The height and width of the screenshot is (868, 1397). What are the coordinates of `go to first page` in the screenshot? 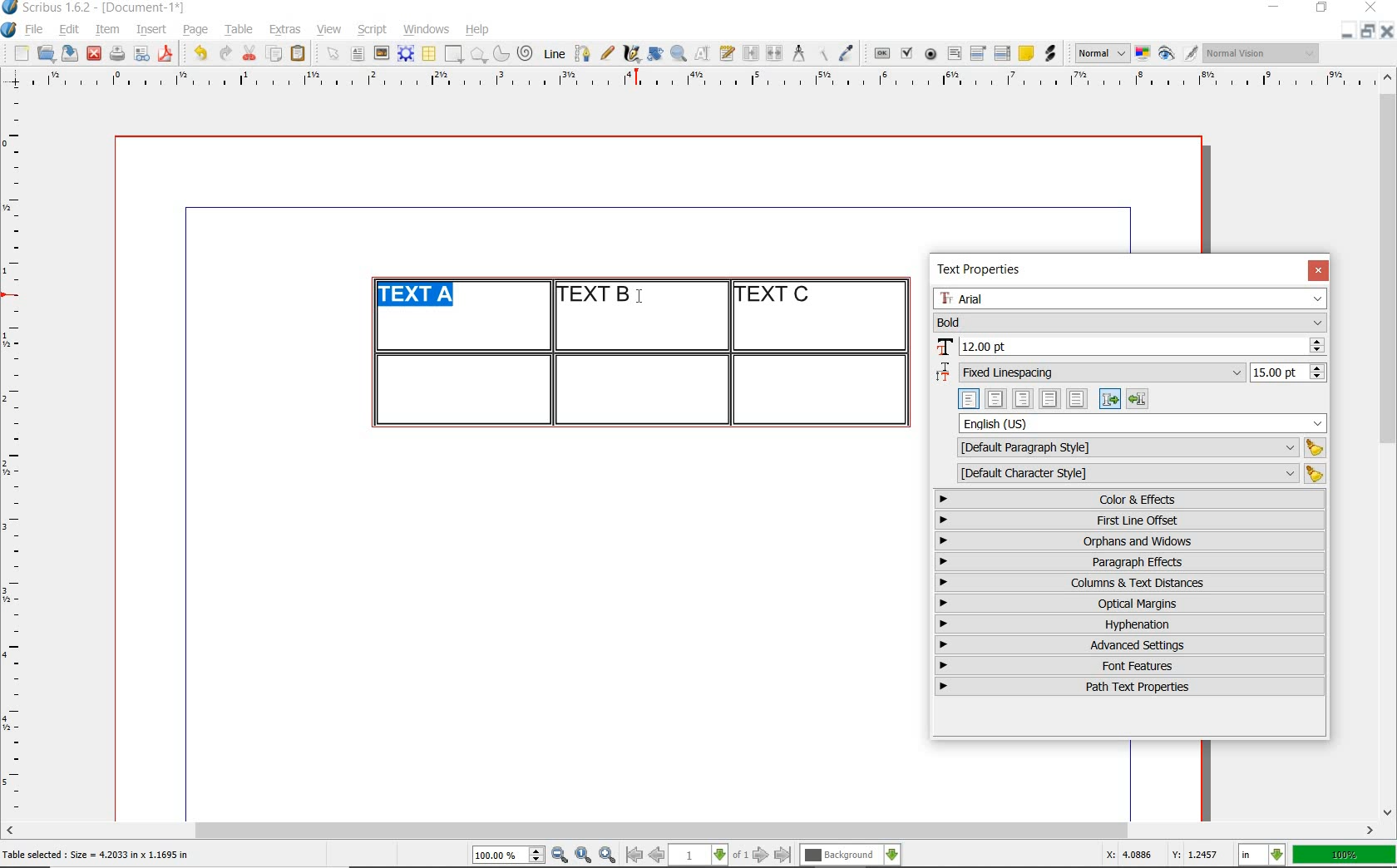 It's located at (633, 855).